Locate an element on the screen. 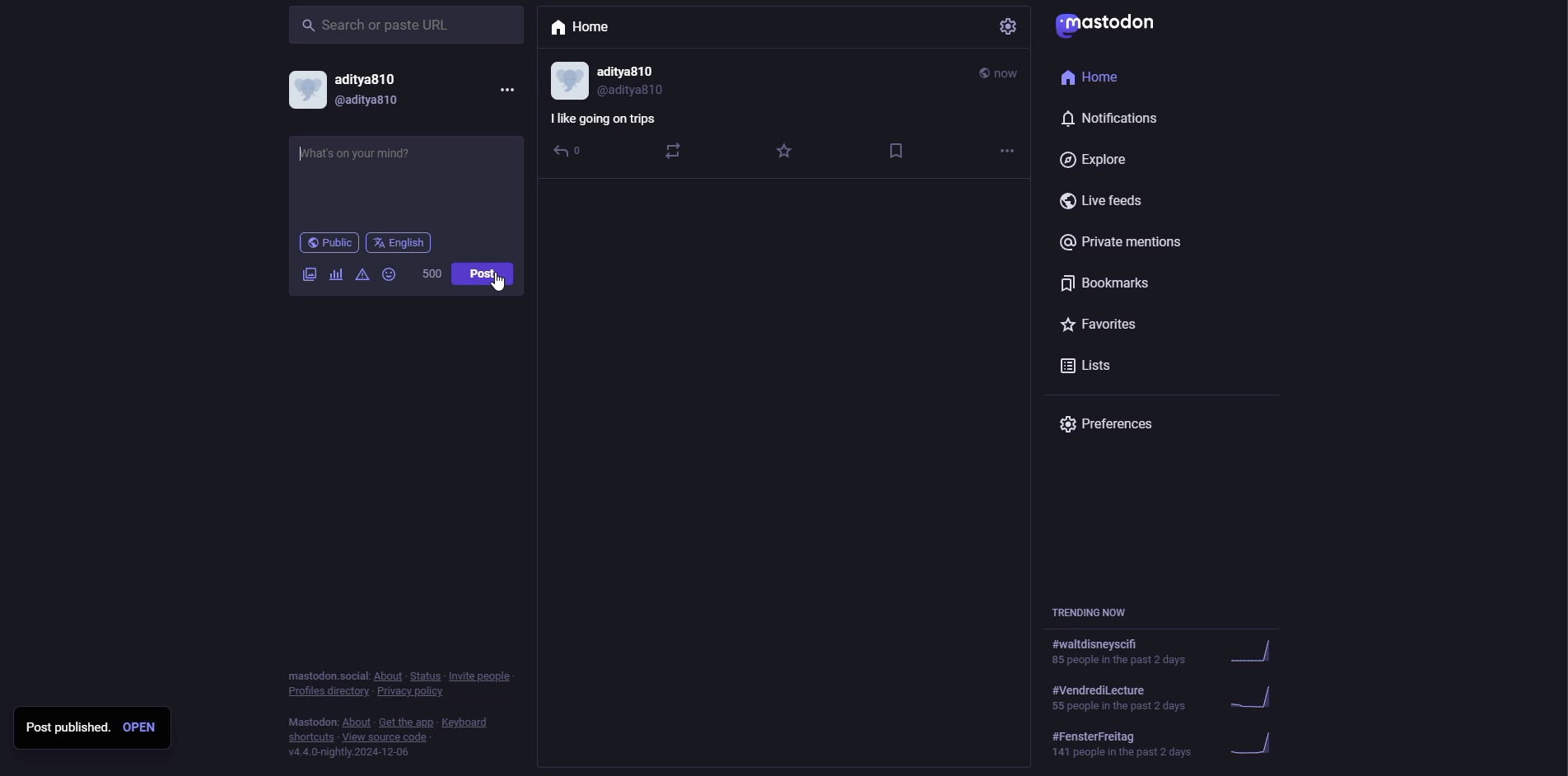 The image size is (1568, 776). more is located at coordinates (506, 89).